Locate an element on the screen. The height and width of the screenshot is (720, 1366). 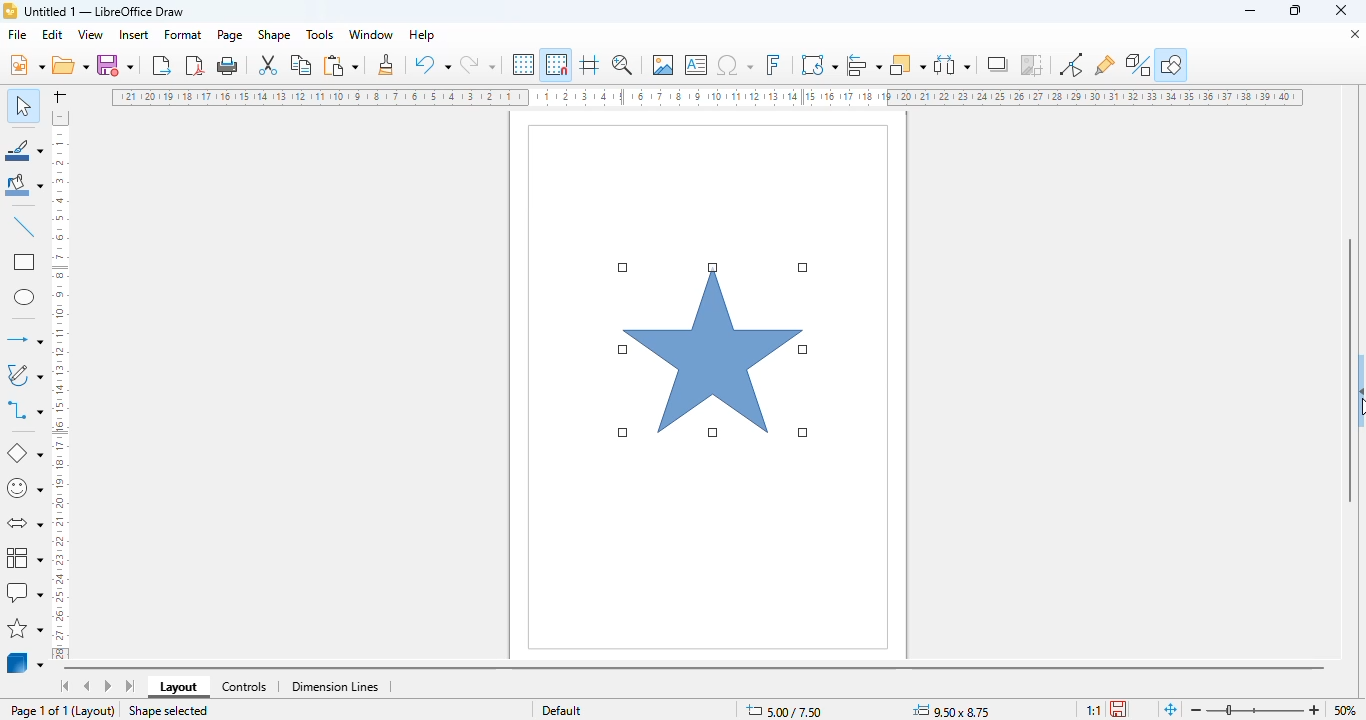
zoom & pan is located at coordinates (623, 65).